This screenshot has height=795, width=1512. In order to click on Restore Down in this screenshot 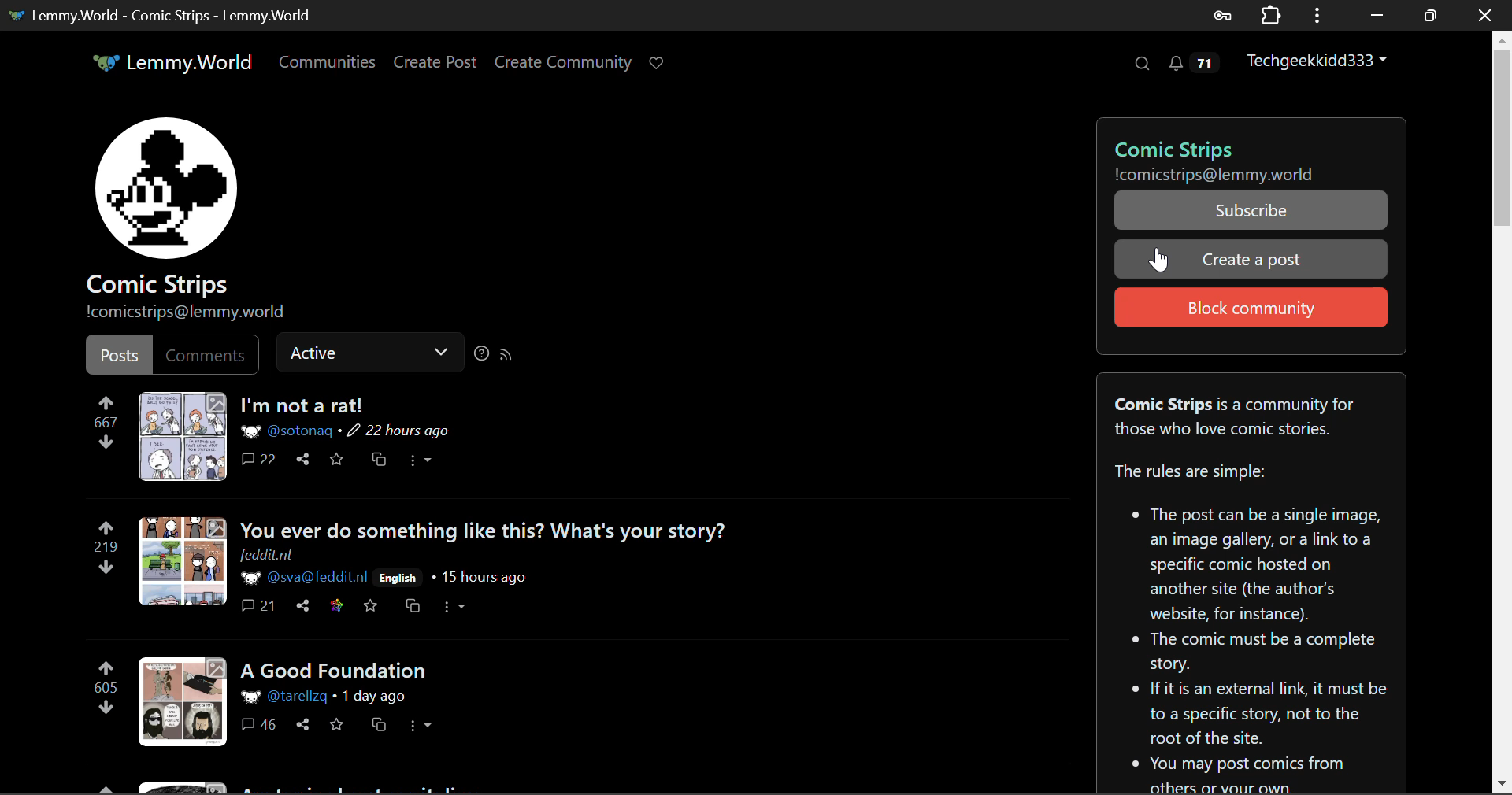, I will do `click(1377, 14)`.